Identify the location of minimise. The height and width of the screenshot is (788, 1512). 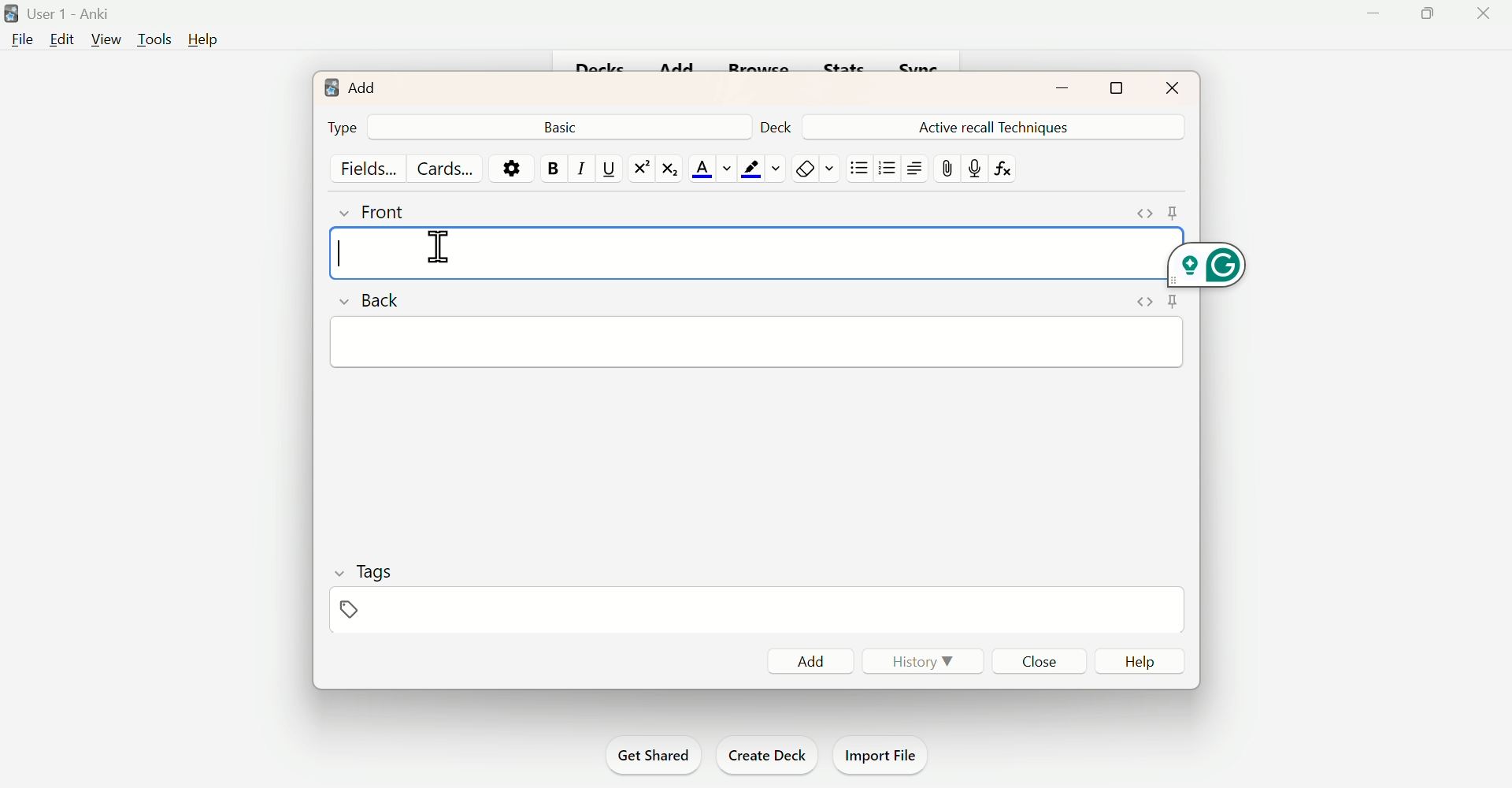
(1053, 88).